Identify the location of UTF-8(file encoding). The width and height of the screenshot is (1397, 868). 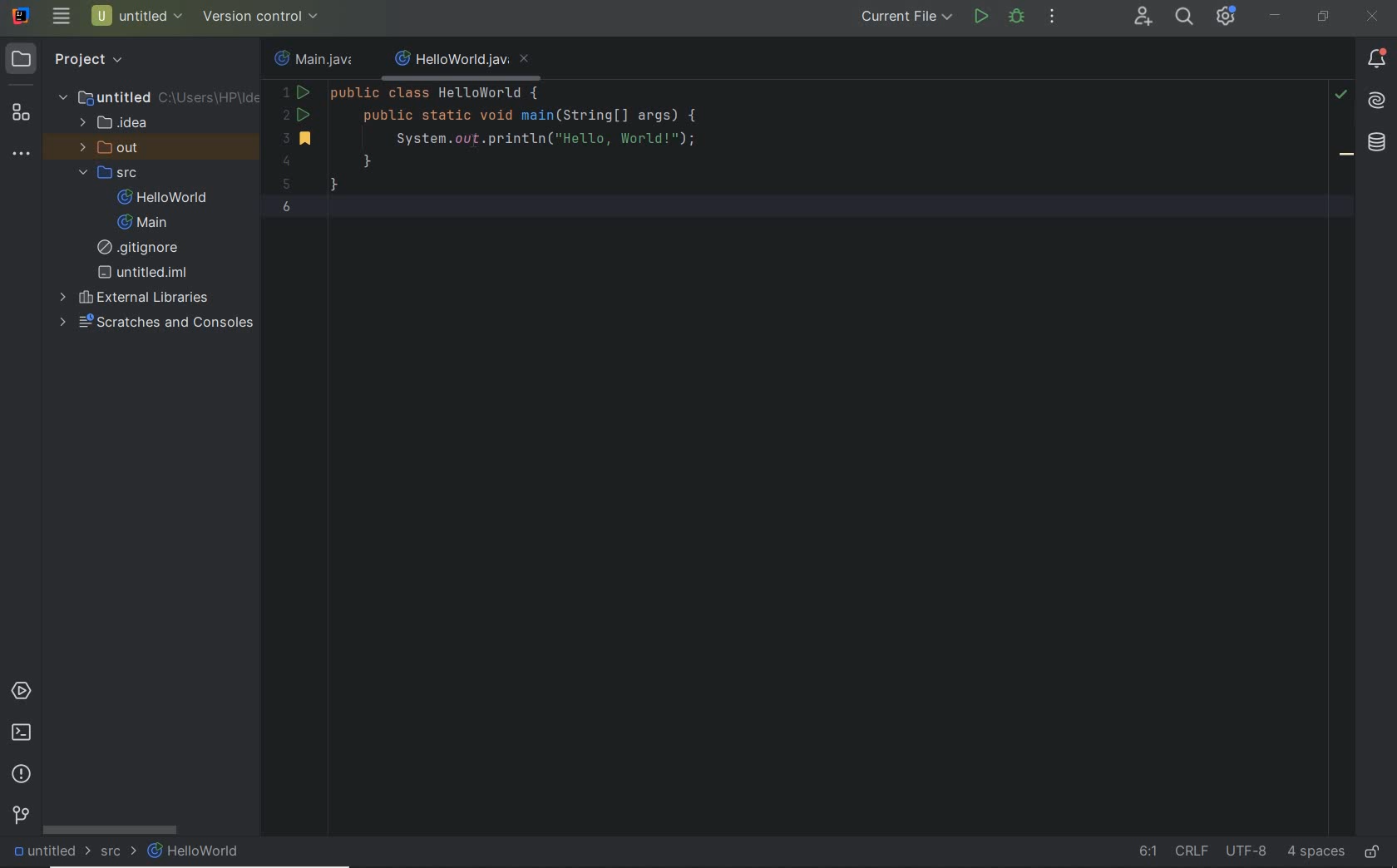
(1244, 851).